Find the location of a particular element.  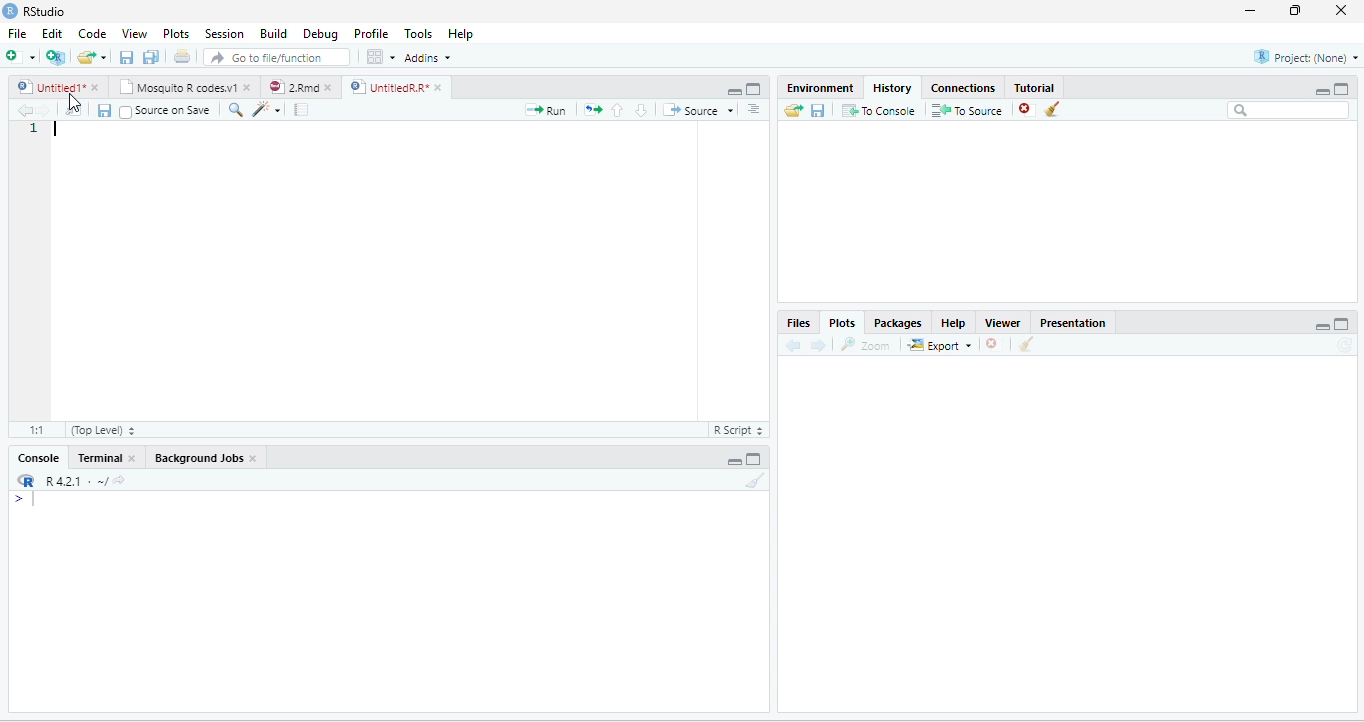

Clear console is located at coordinates (756, 480).